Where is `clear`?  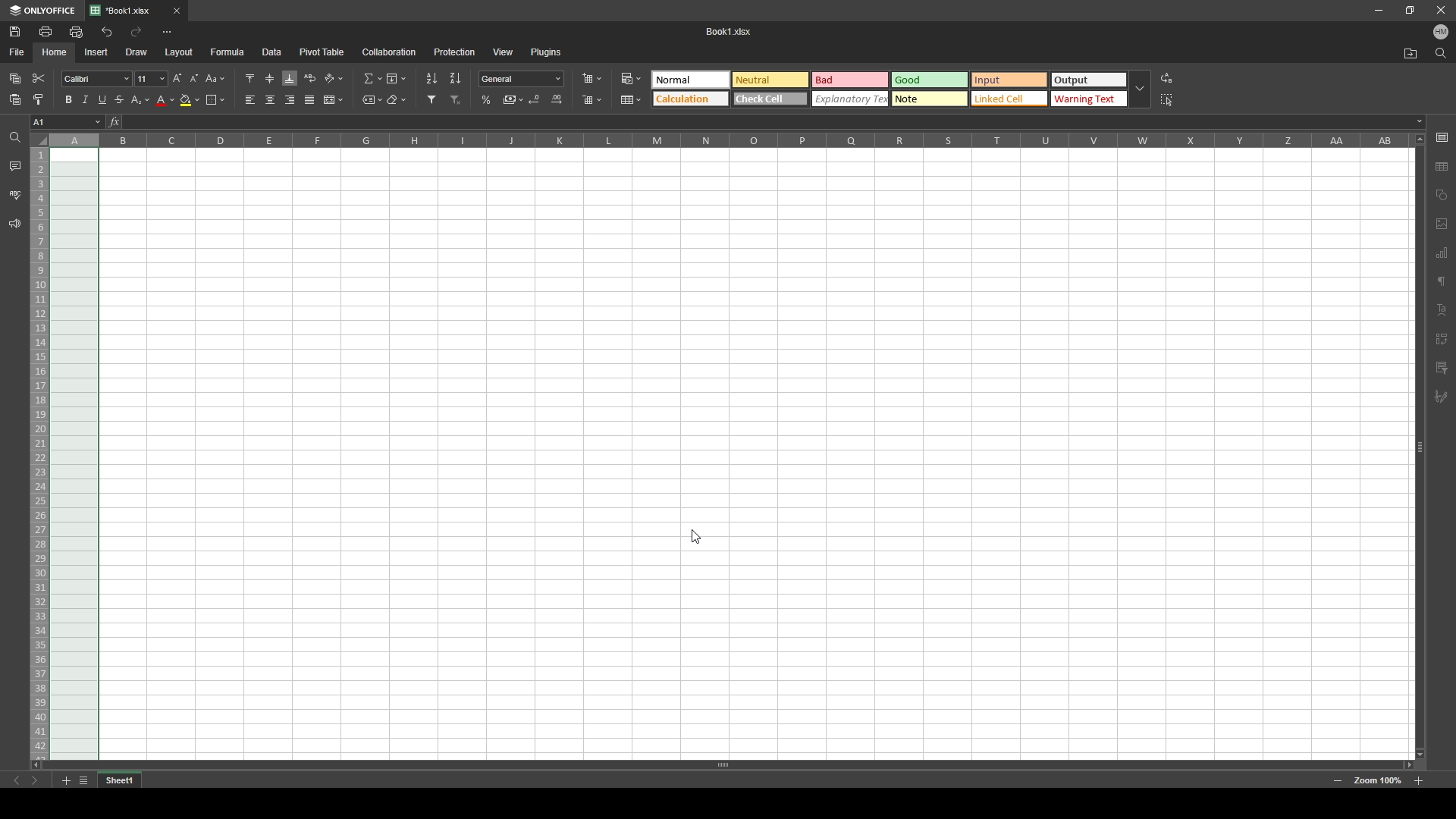
clear is located at coordinates (397, 100).